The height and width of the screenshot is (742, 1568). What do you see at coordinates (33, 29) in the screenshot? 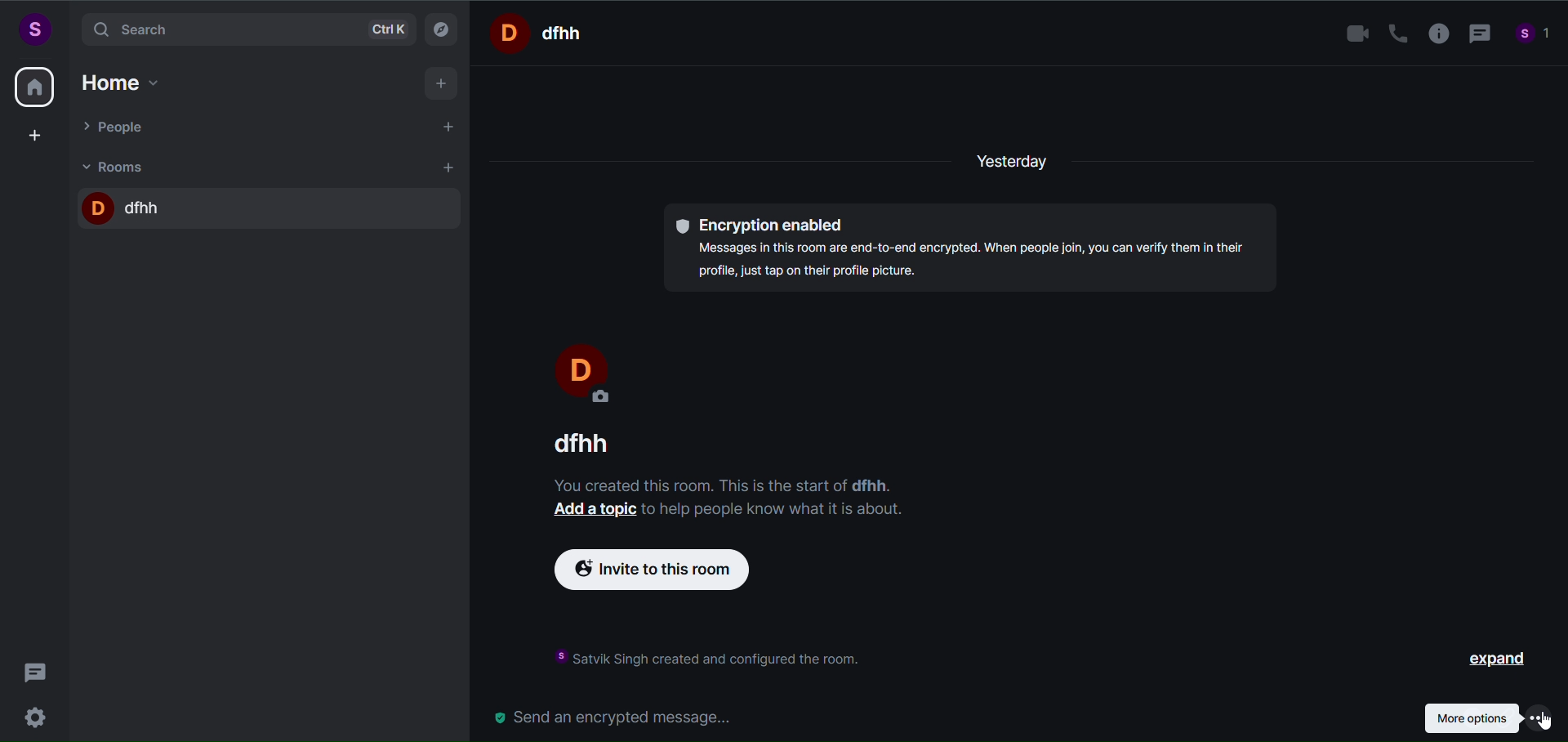
I see `user` at bounding box center [33, 29].